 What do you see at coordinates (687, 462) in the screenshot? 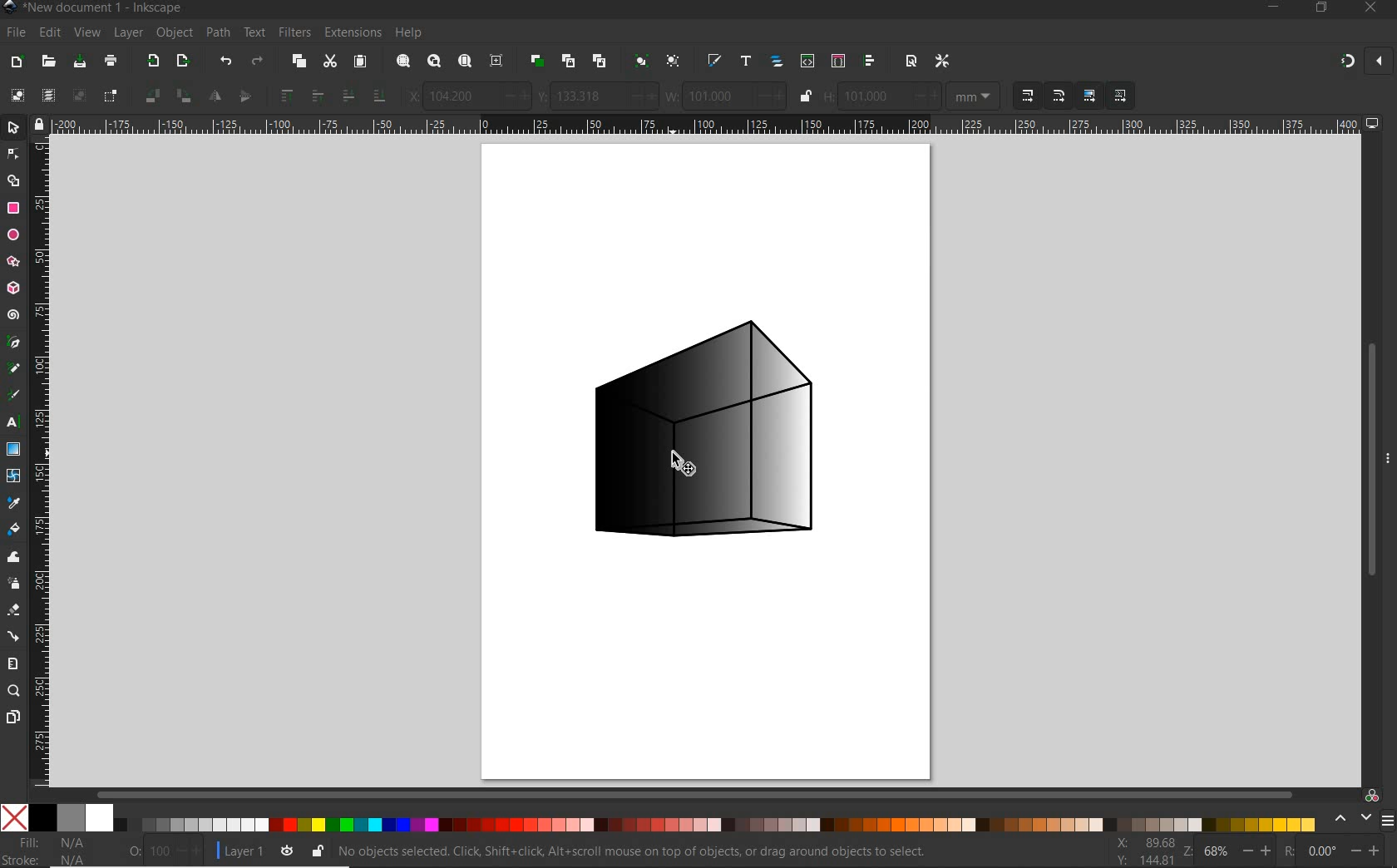
I see `cursor` at bounding box center [687, 462].